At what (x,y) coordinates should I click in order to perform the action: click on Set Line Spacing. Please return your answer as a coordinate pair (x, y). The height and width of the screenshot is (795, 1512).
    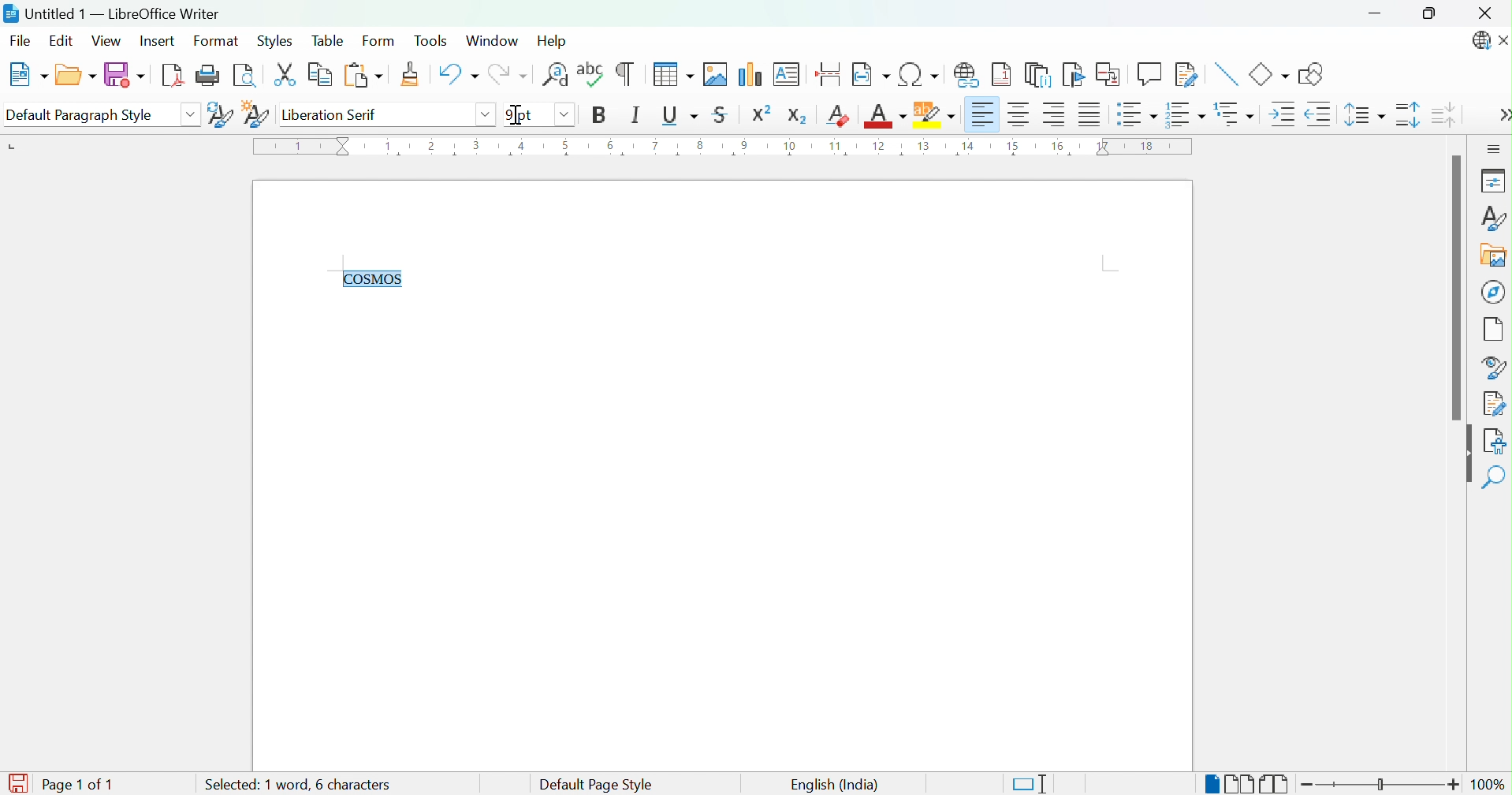
    Looking at the image, I should click on (1364, 117).